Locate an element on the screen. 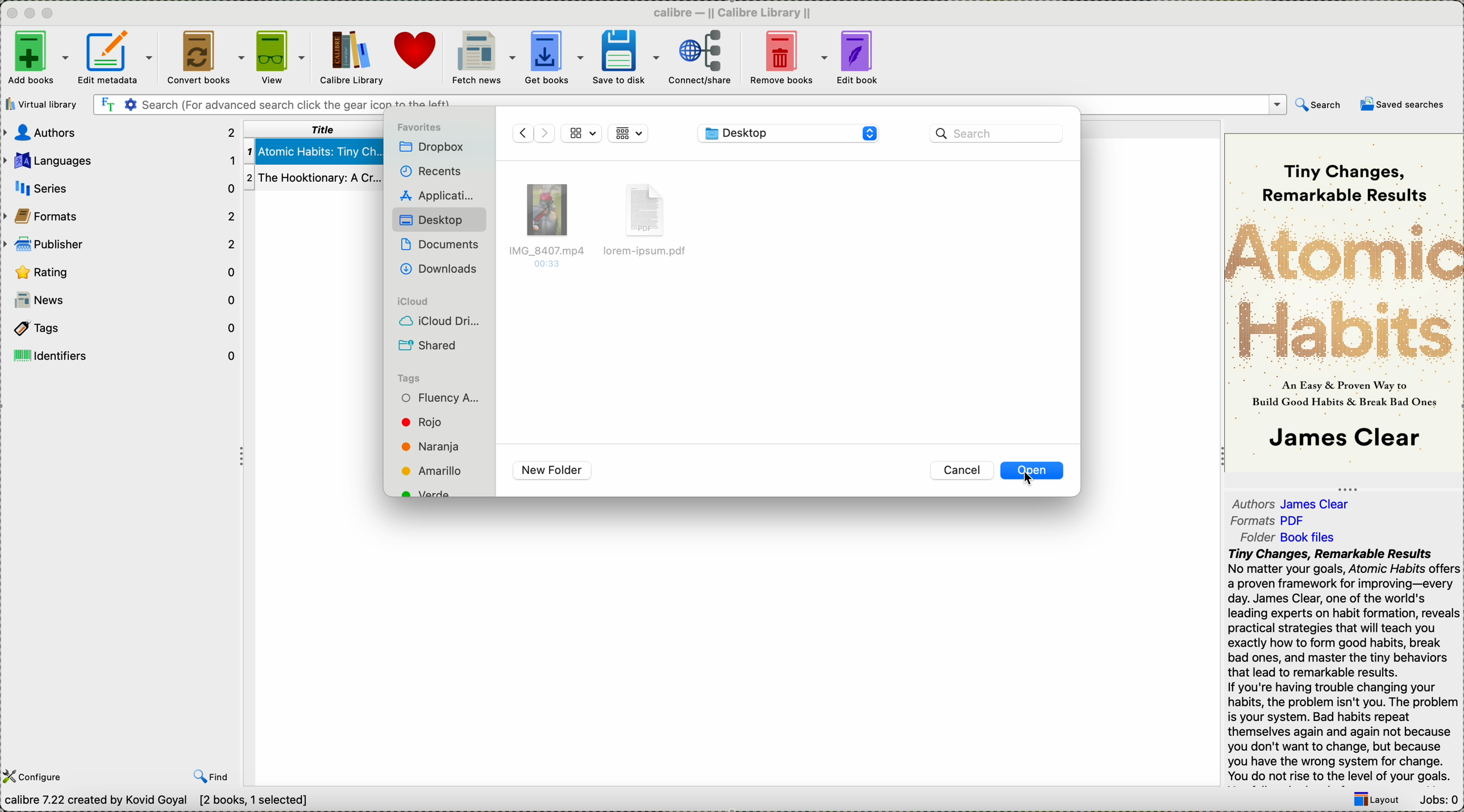 Image resolution: width=1464 pixels, height=812 pixels. formats is located at coordinates (1271, 522).